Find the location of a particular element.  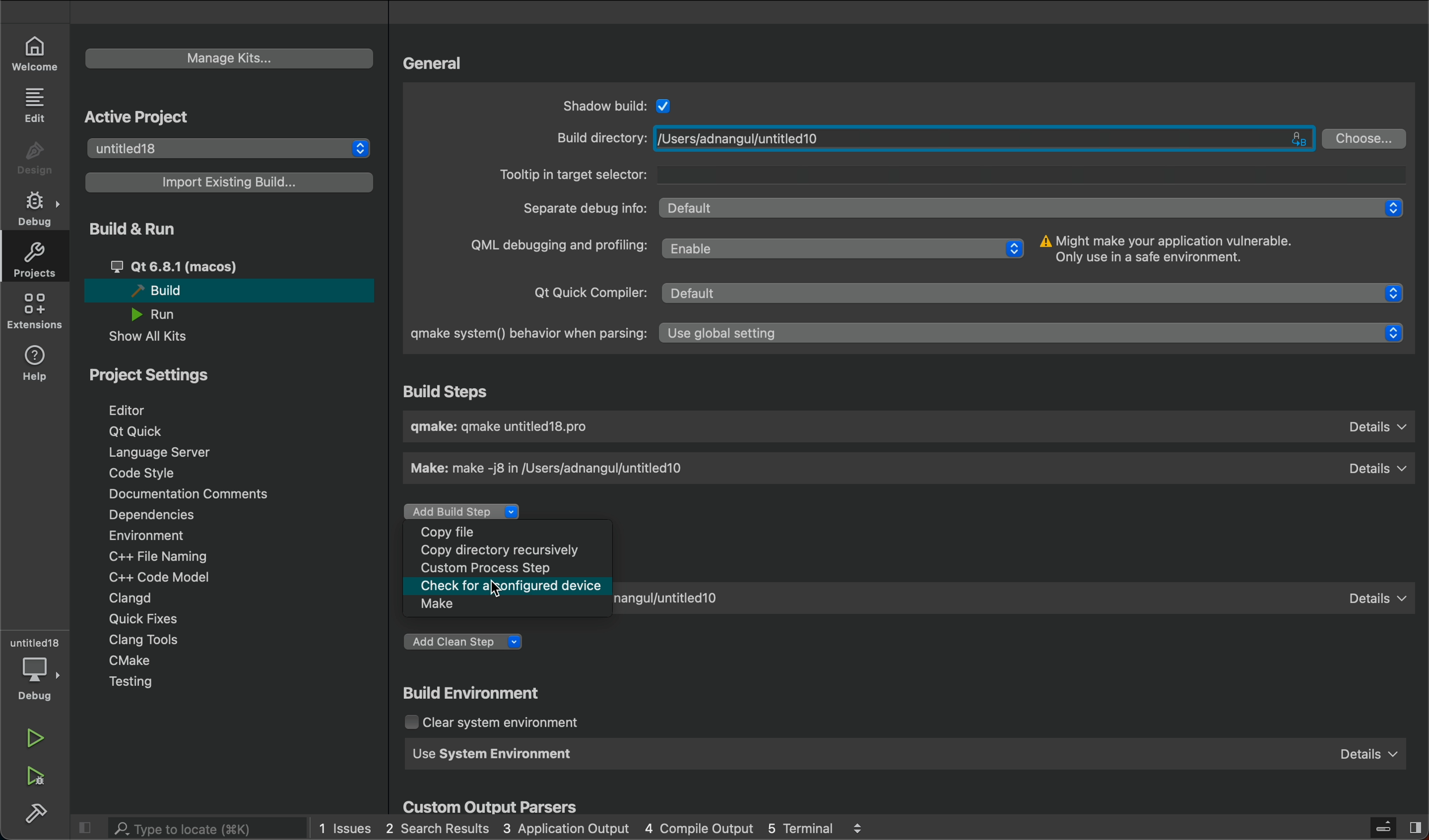

manage kits is located at coordinates (225, 59).